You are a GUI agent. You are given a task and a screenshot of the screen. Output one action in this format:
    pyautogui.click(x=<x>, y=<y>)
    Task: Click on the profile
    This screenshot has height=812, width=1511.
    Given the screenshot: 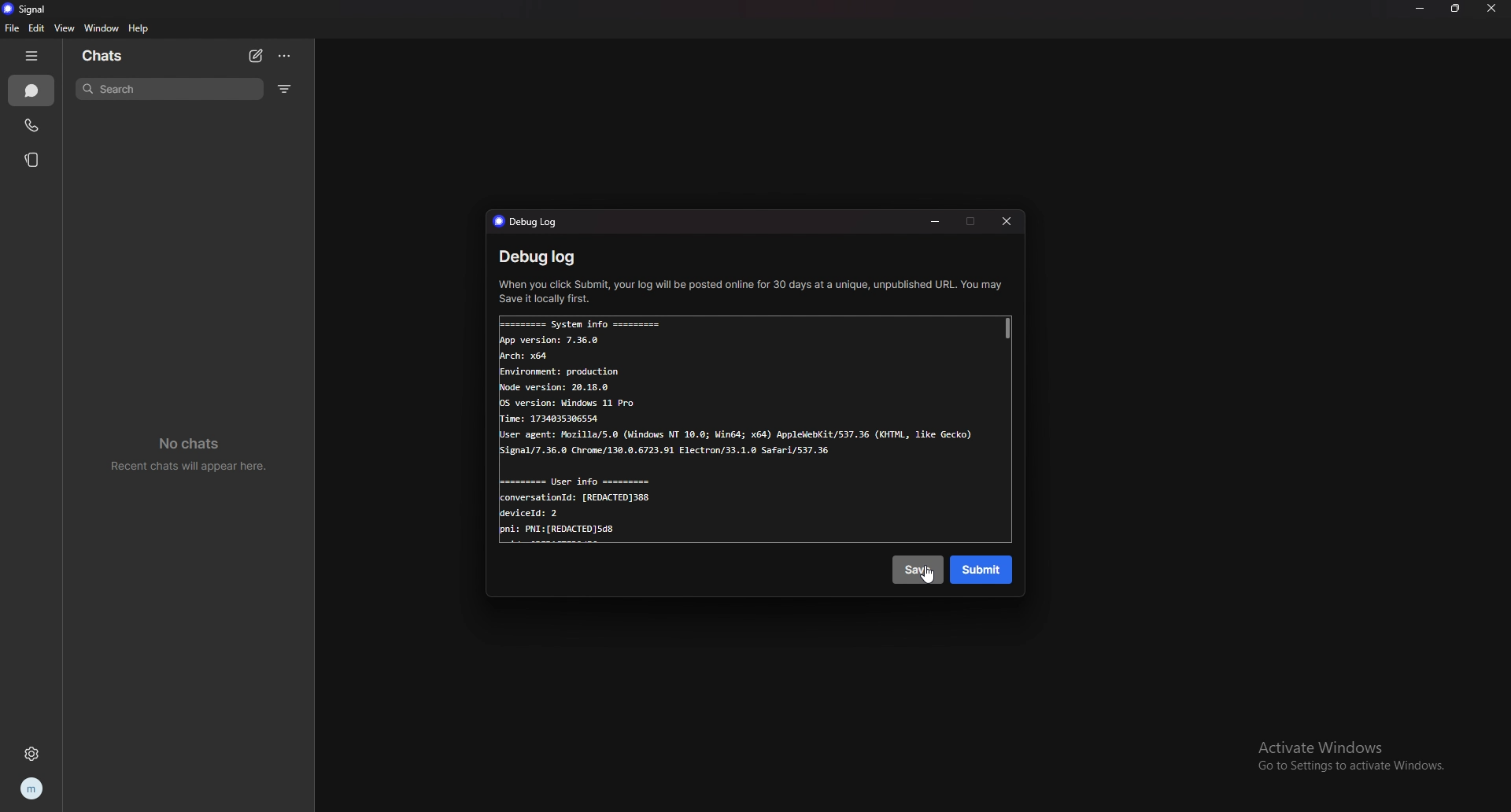 What is the action you would take?
    pyautogui.click(x=30, y=787)
    